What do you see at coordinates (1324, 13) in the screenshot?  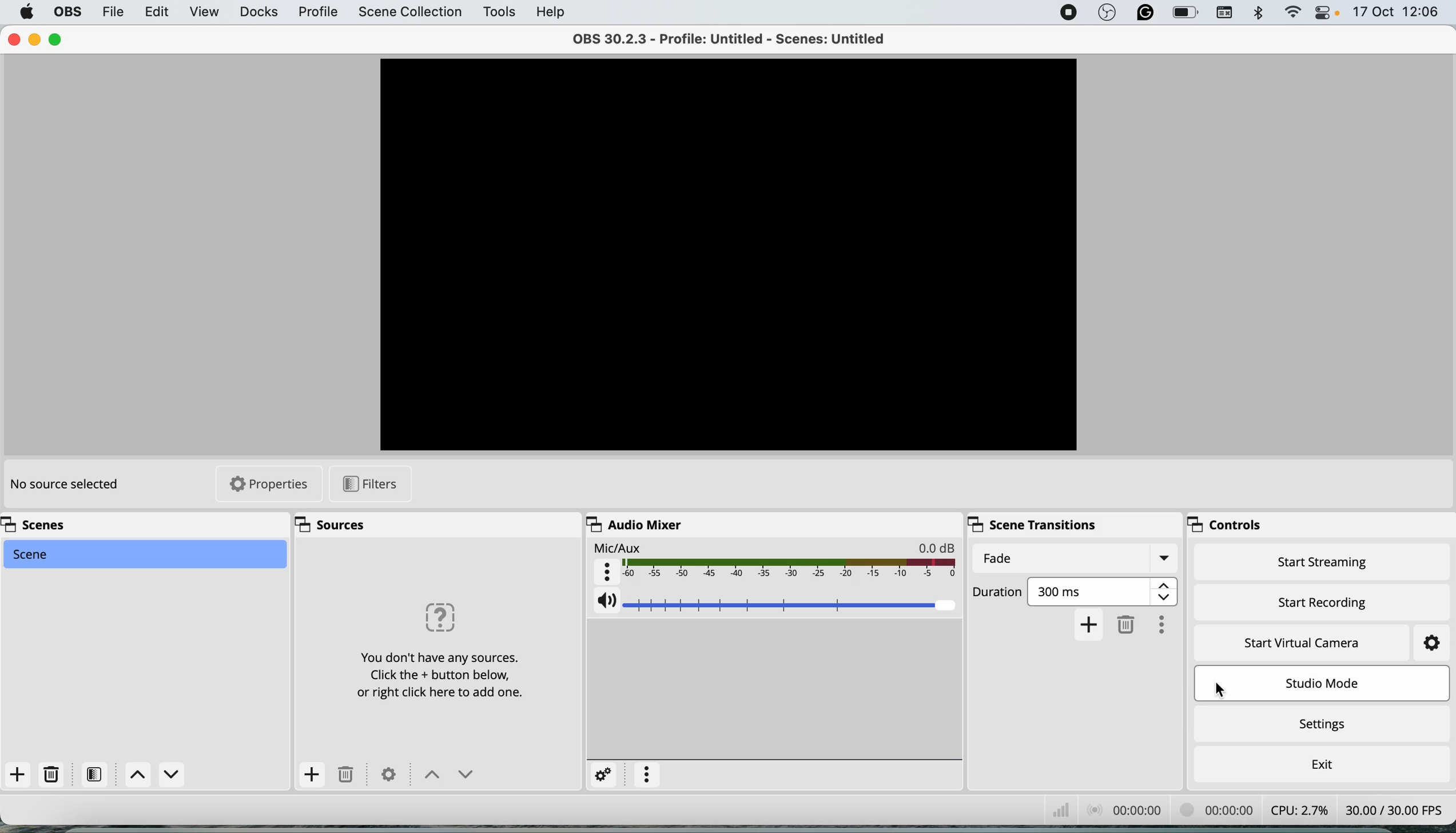 I see `control center` at bounding box center [1324, 13].